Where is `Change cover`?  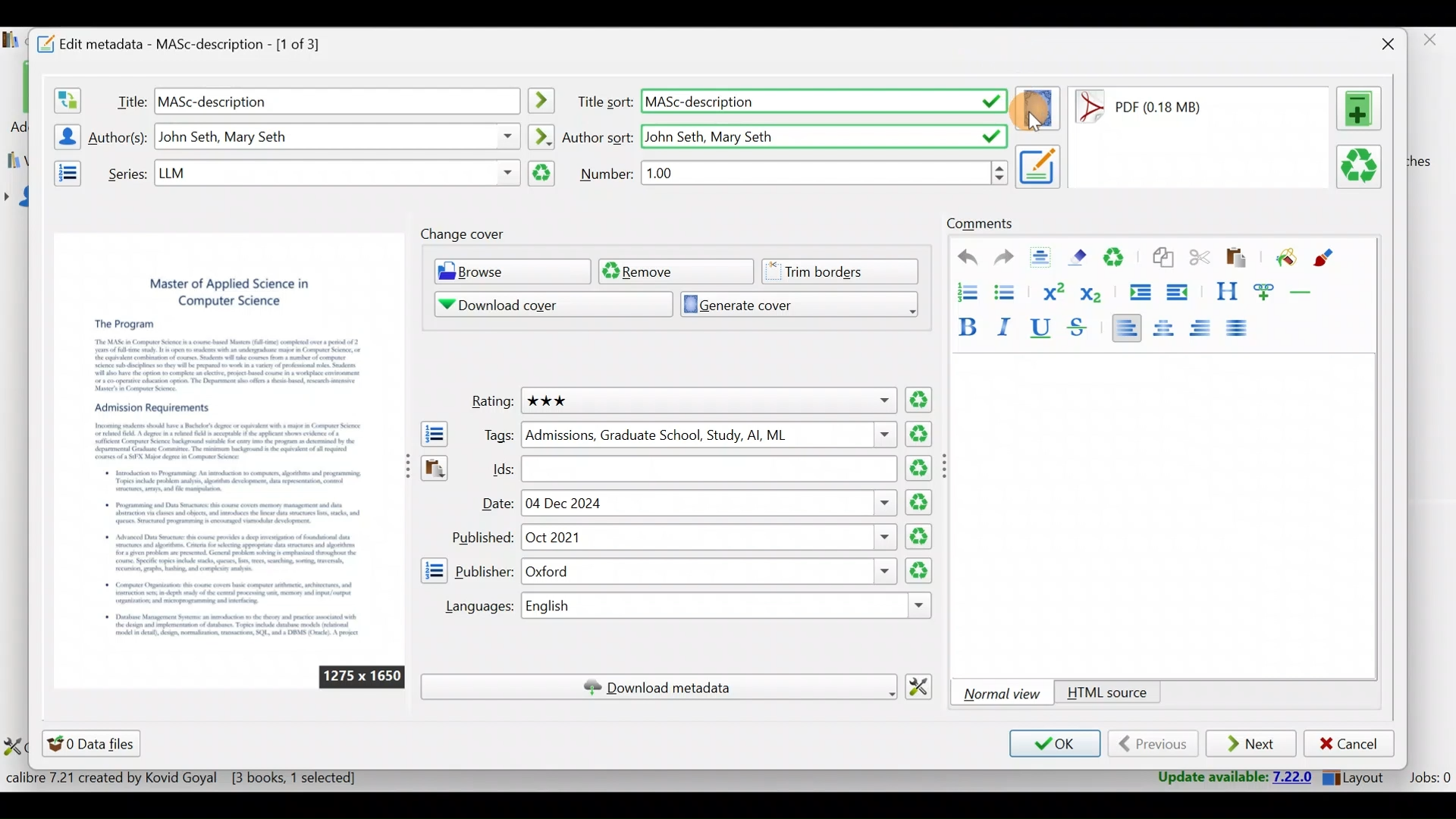
Change cover is located at coordinates (466, 234).